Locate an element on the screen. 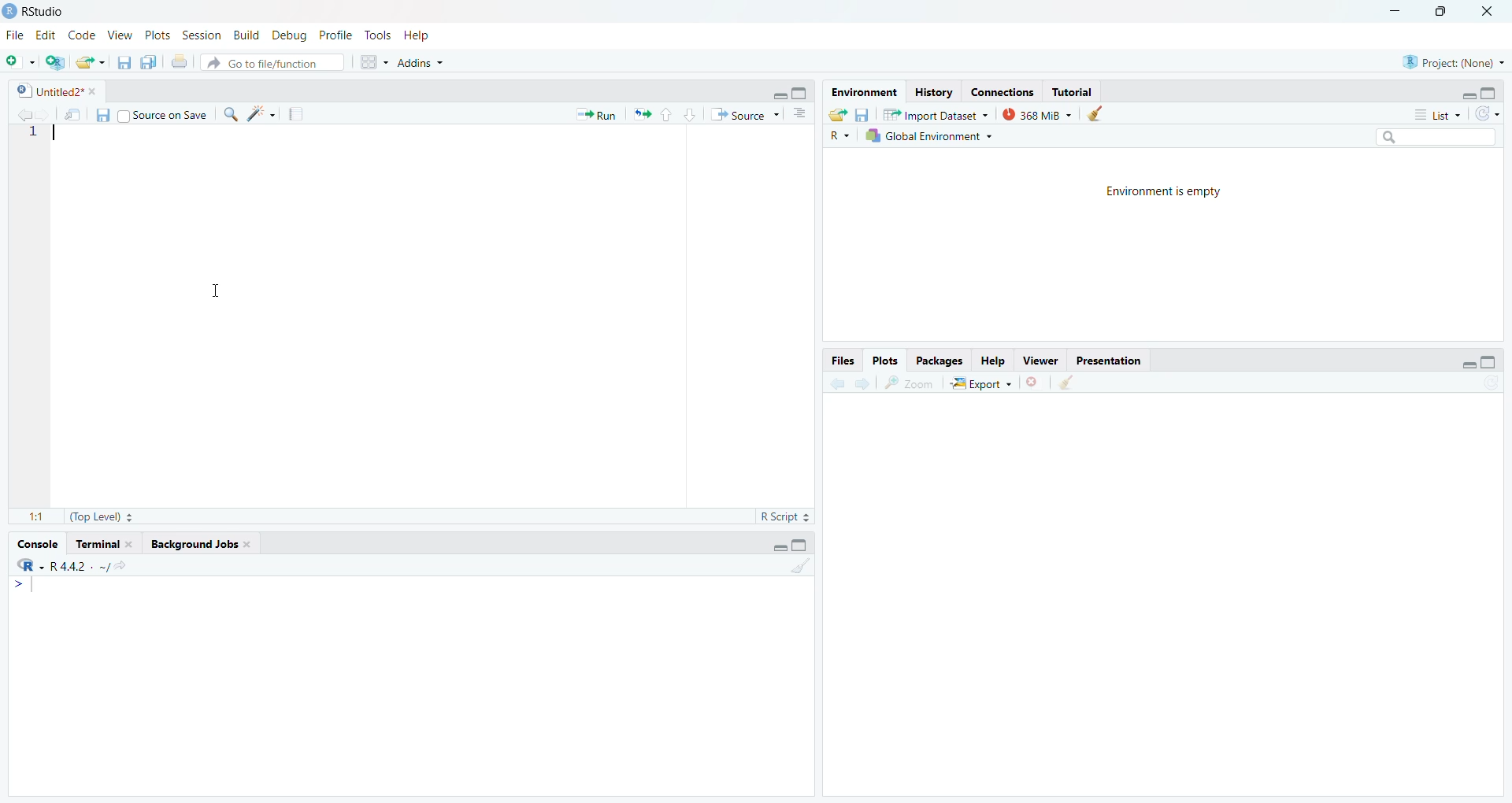 This screenshot has width=1512, height=803. refresh is located at coordinates (1491, 117).